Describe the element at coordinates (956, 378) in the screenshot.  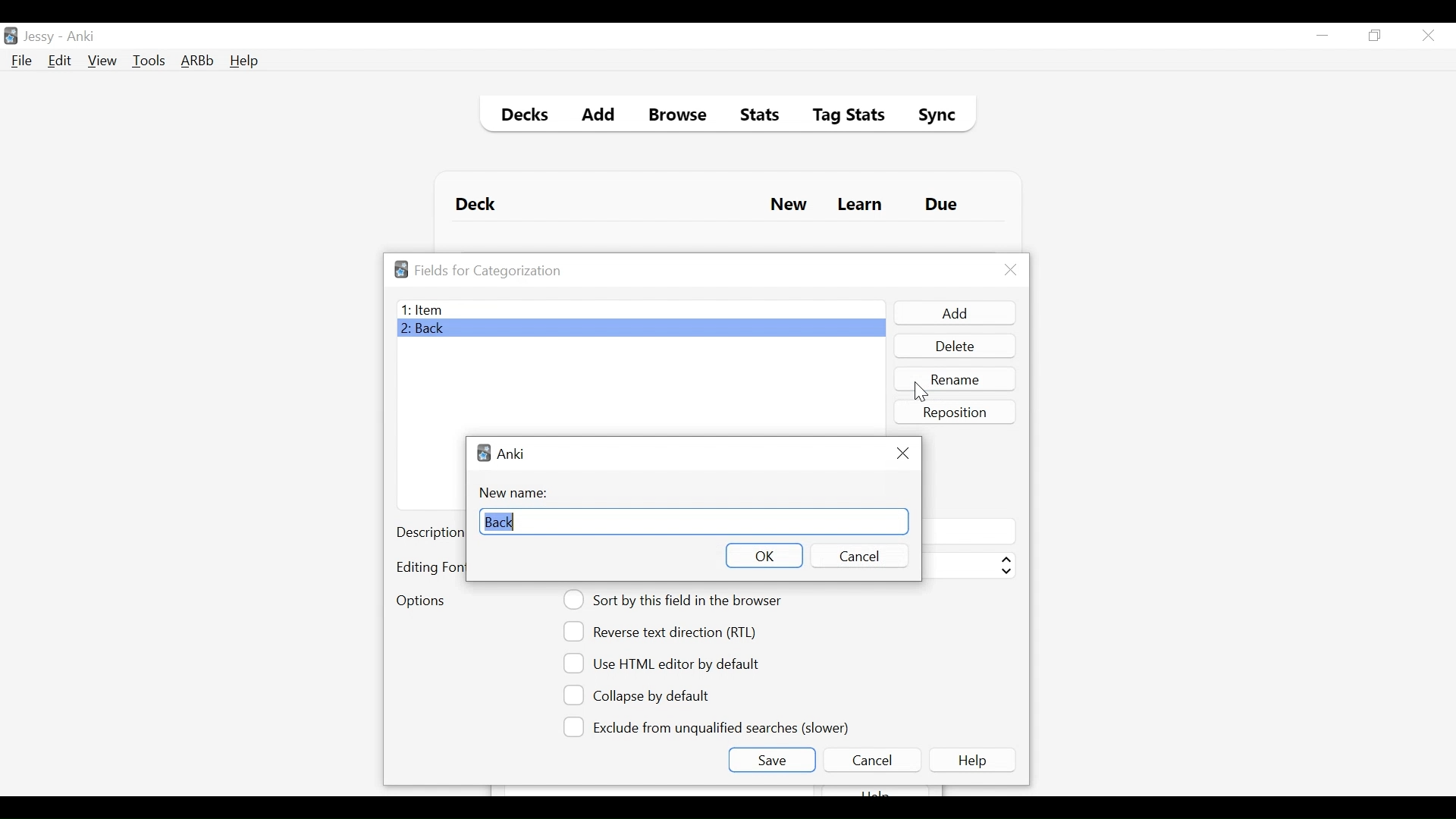
I see `Rename` at that location.